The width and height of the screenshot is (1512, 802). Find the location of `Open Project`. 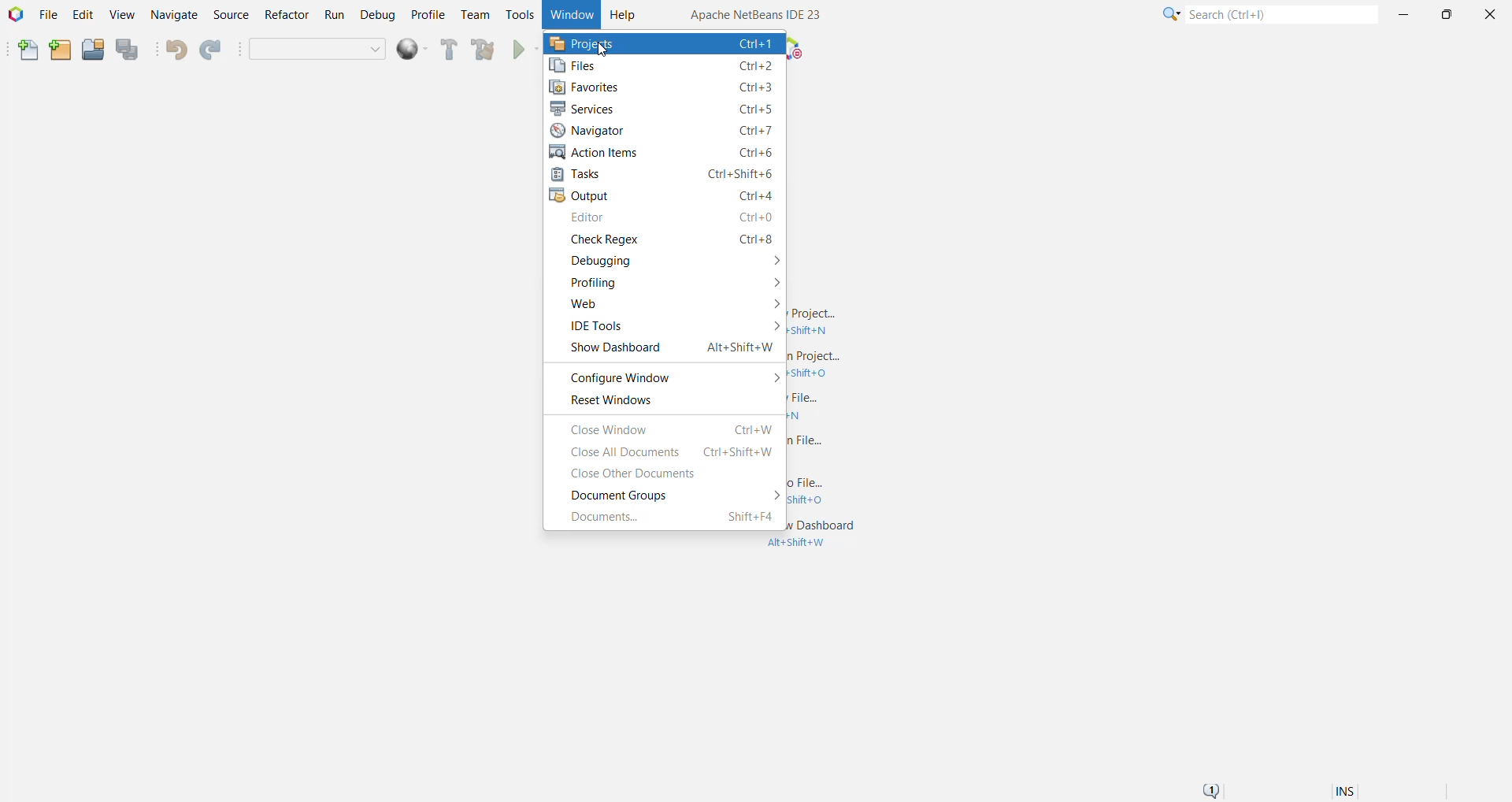

Open Project is located at coordinates (91, 50).